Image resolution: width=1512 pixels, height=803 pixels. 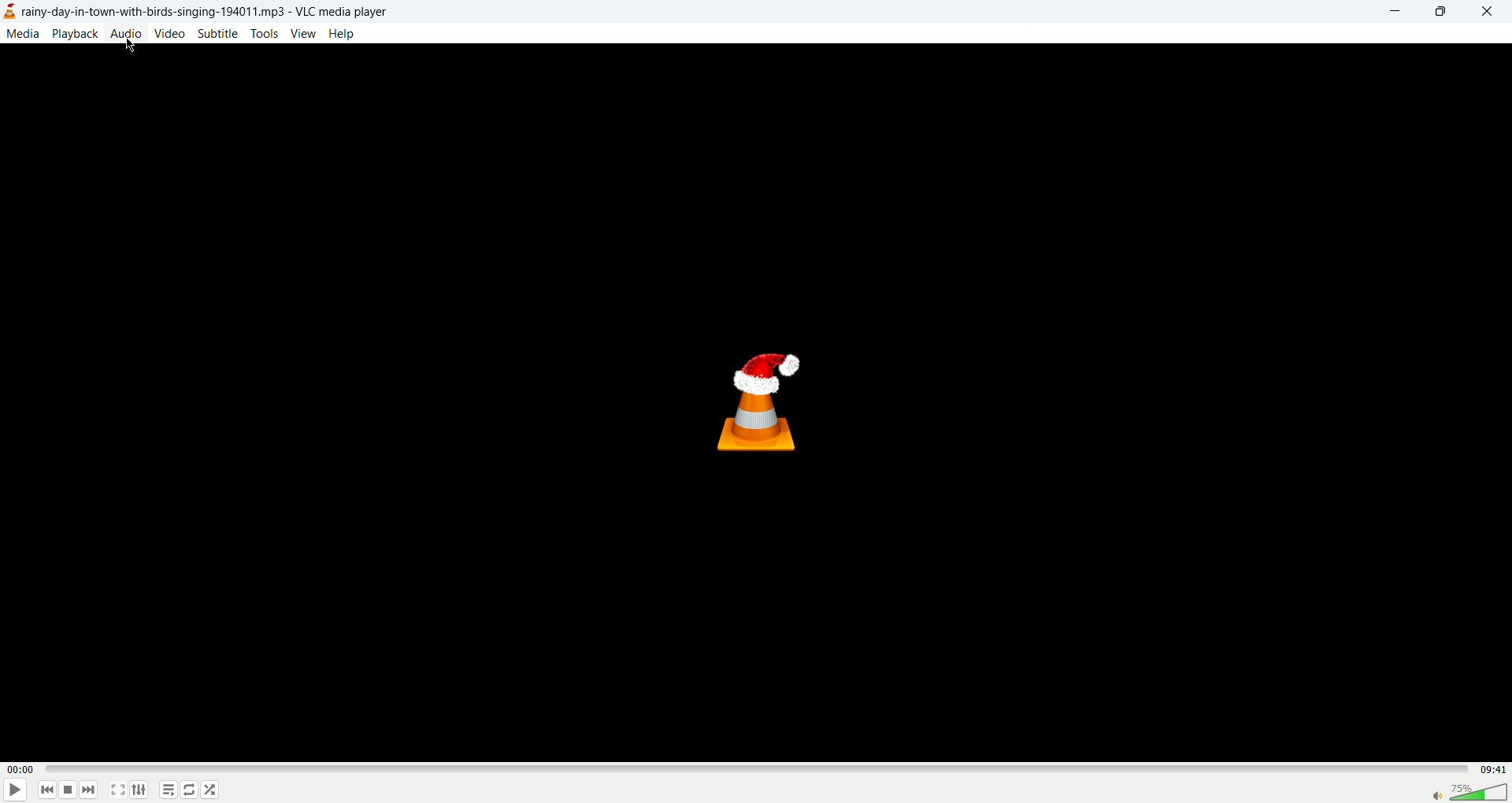 I want to click on video, so click(x=170, y=34).